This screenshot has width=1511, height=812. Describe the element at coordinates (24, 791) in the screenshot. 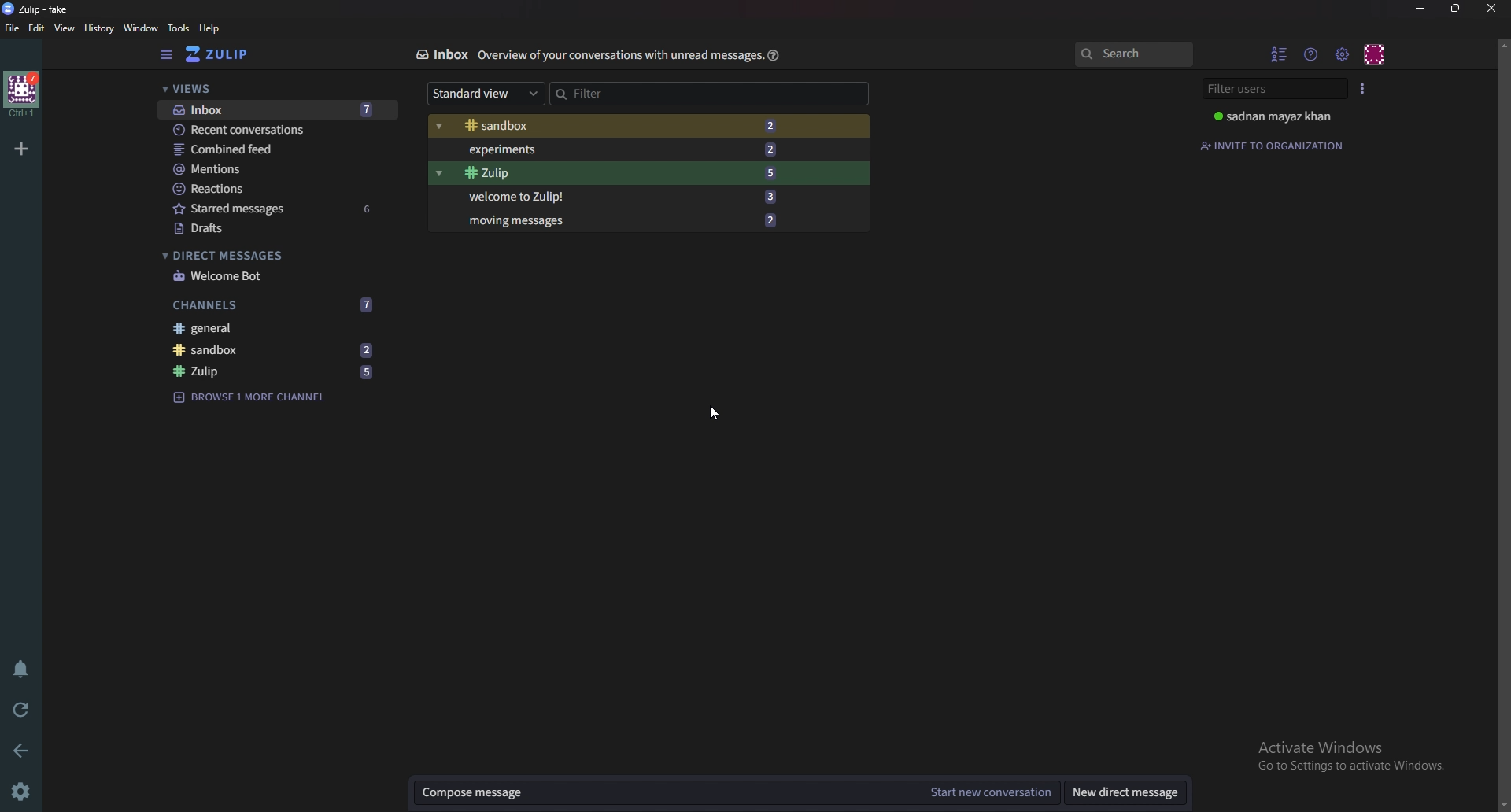

I see `Settings` at that location.